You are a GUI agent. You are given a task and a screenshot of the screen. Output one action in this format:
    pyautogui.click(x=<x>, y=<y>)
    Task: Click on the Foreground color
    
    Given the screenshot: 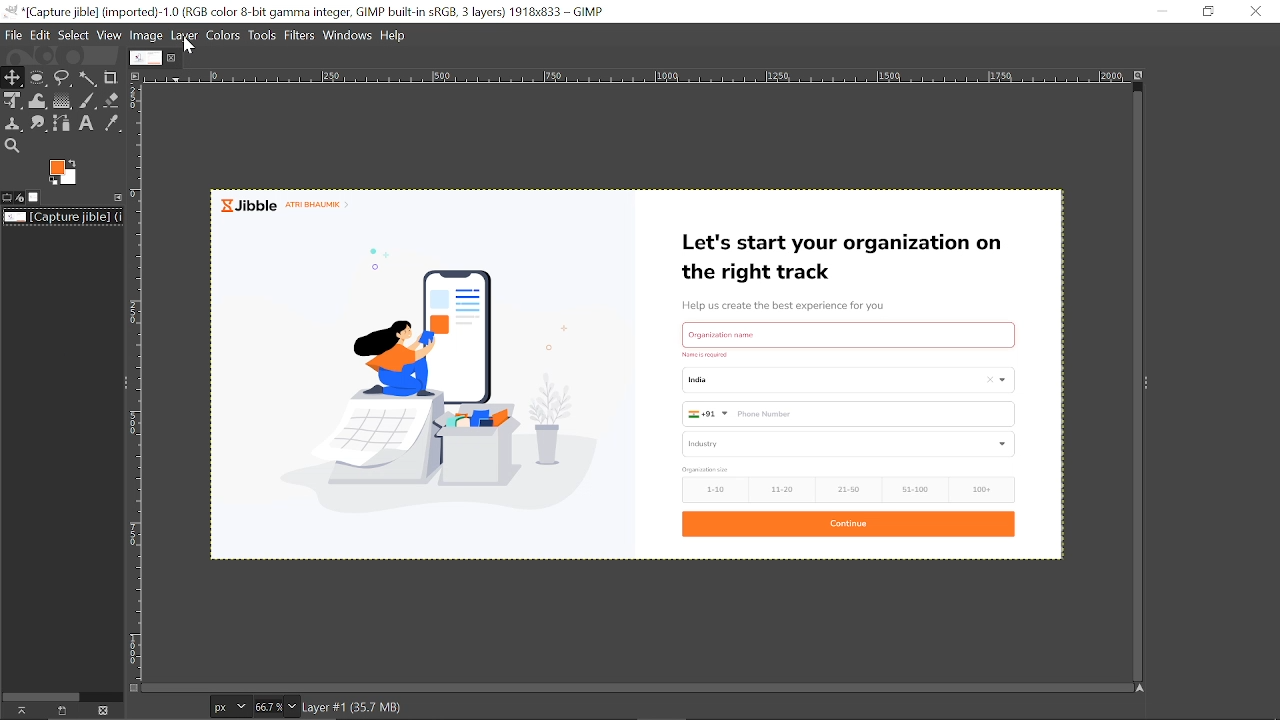 What is the action you would take?
    pyautogui.click(x=64, y=173)
    